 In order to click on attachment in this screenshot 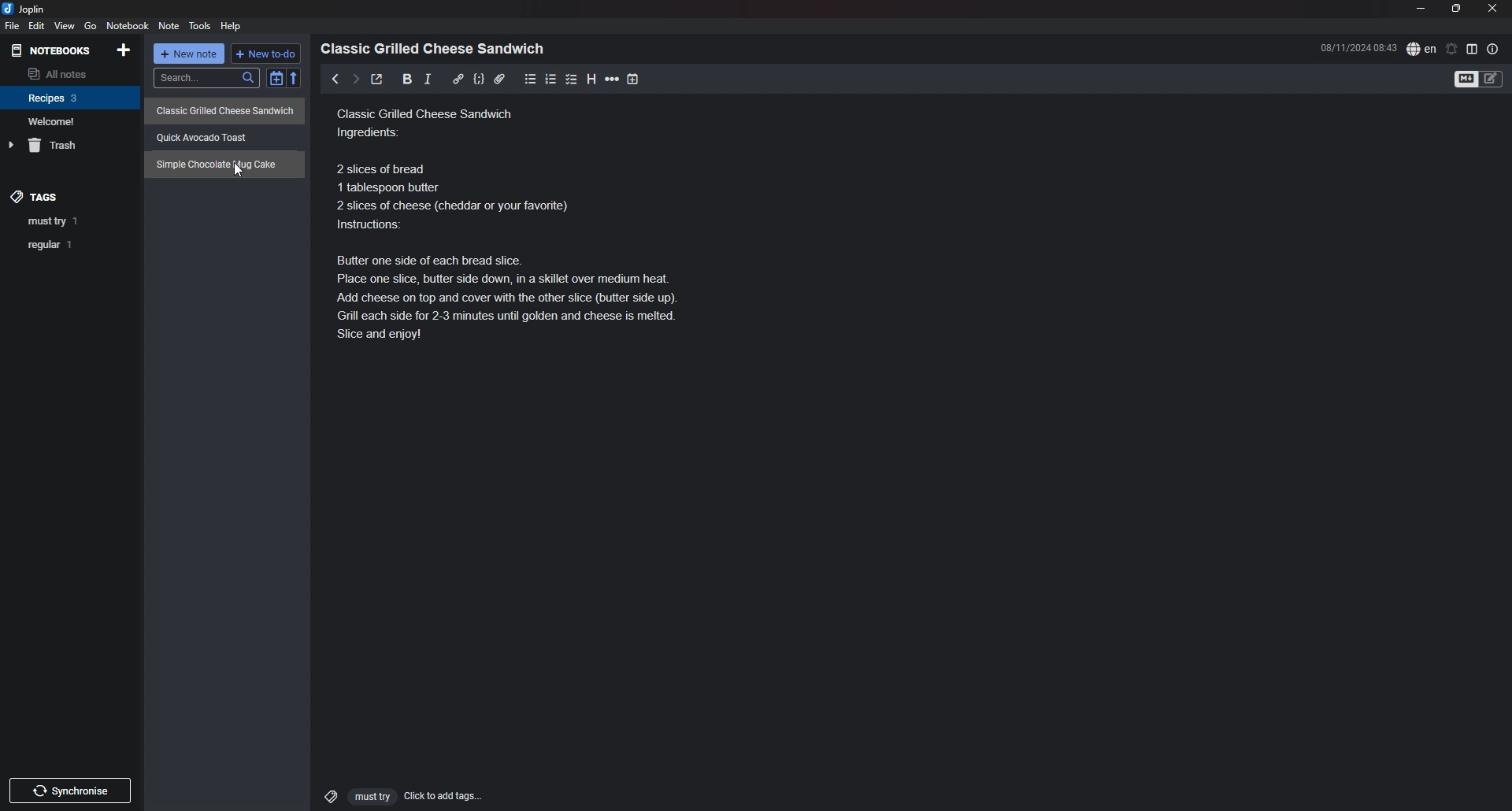, I will do `click(499, 79)`.